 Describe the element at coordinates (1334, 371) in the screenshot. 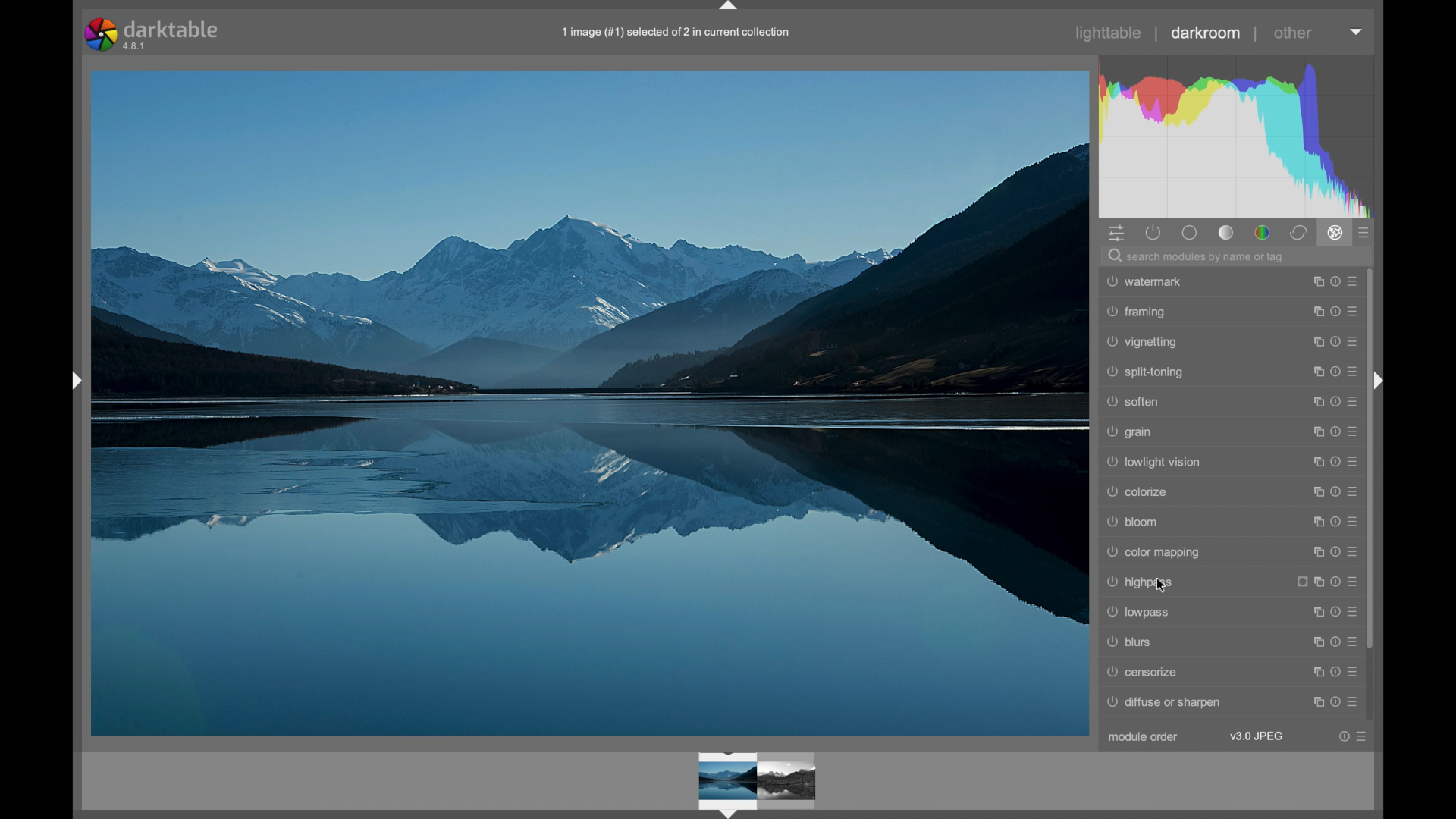

I see `more options` at that location.